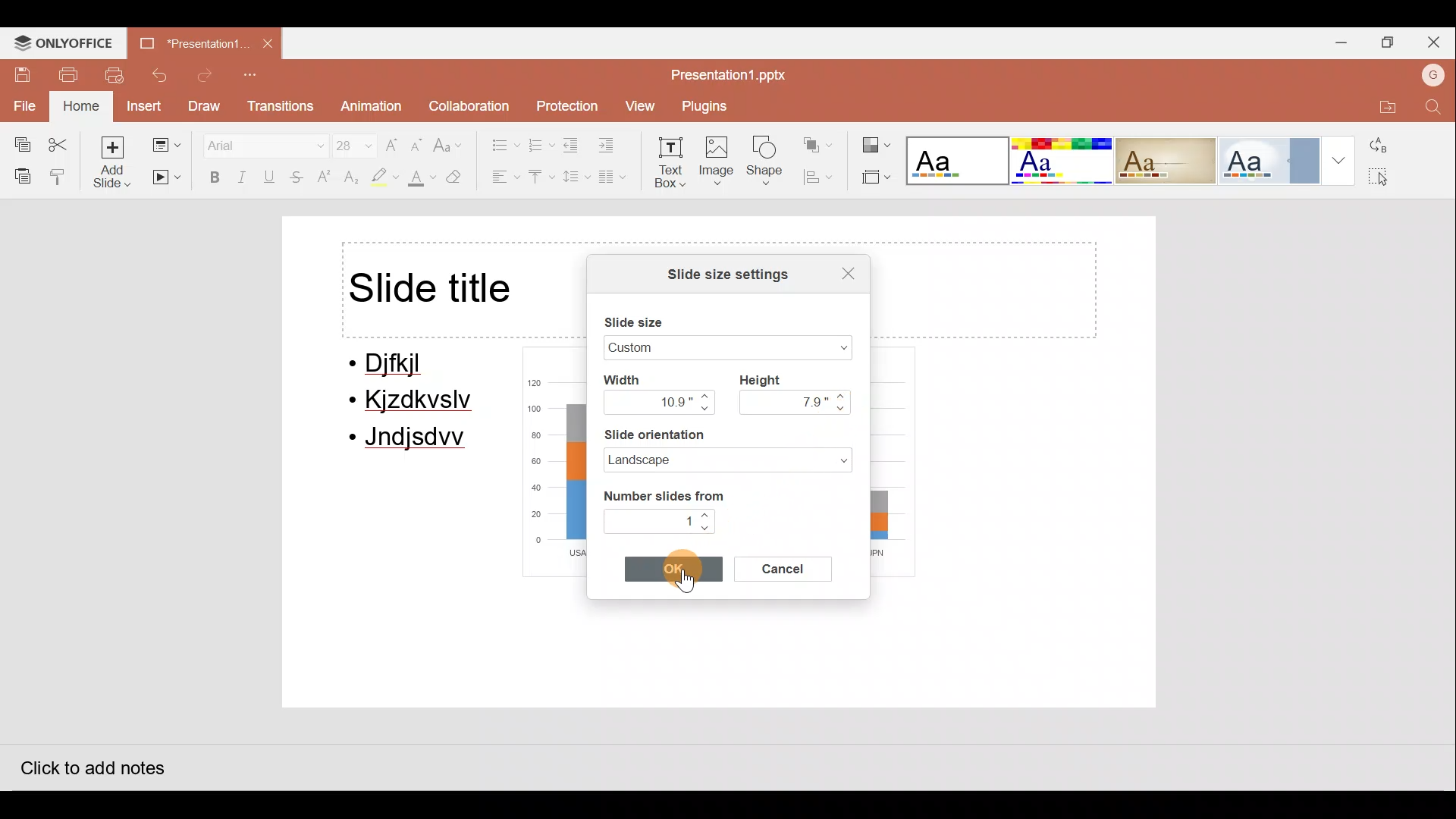 The height and width of the screenshot is (819, 1456). Describe the element at coordinates (540, 178) in the screenshot. I see `Vertical align` at that location.